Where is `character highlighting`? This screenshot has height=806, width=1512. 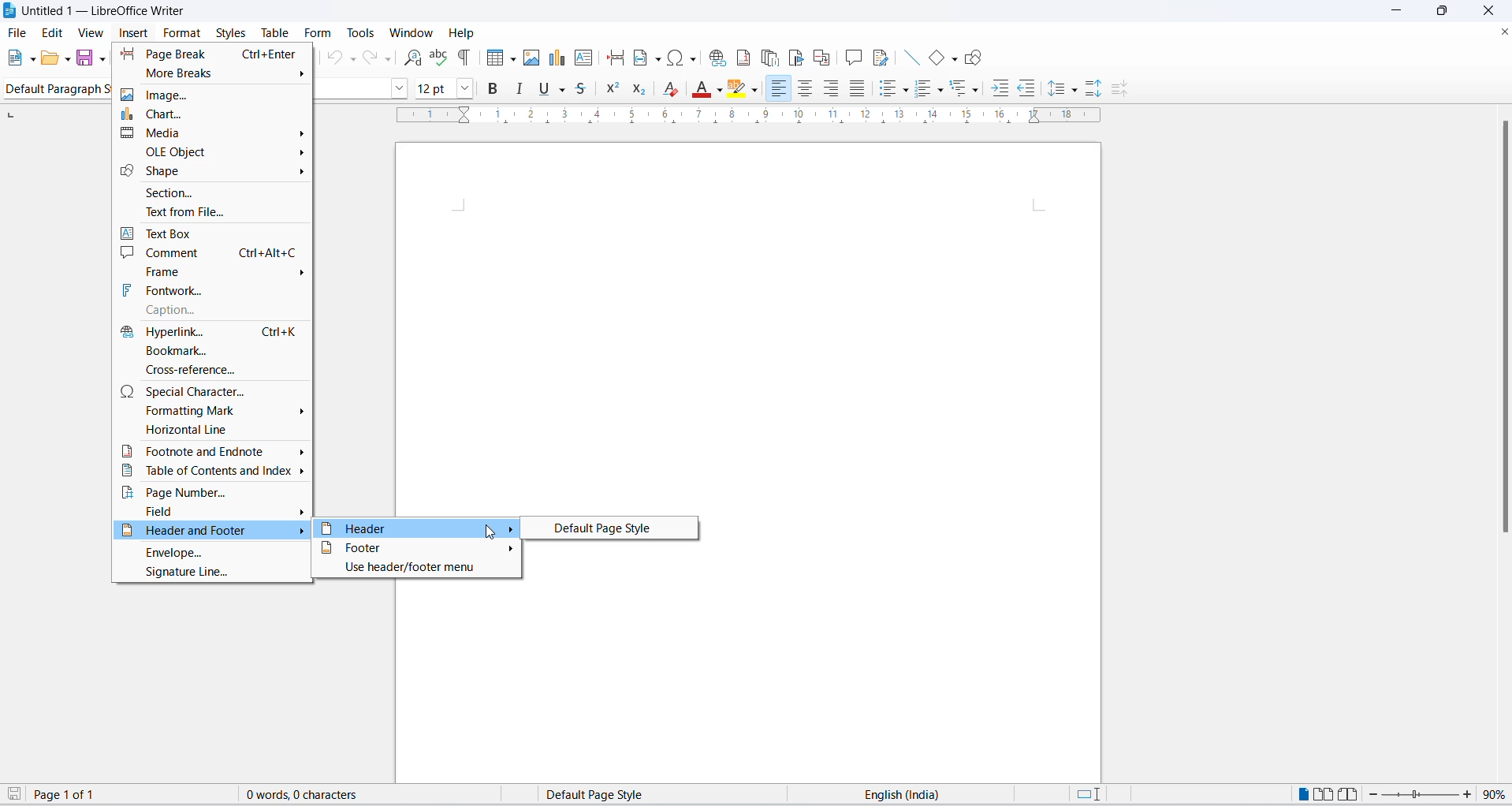 character highlighting is located at coordinates (738, 90).